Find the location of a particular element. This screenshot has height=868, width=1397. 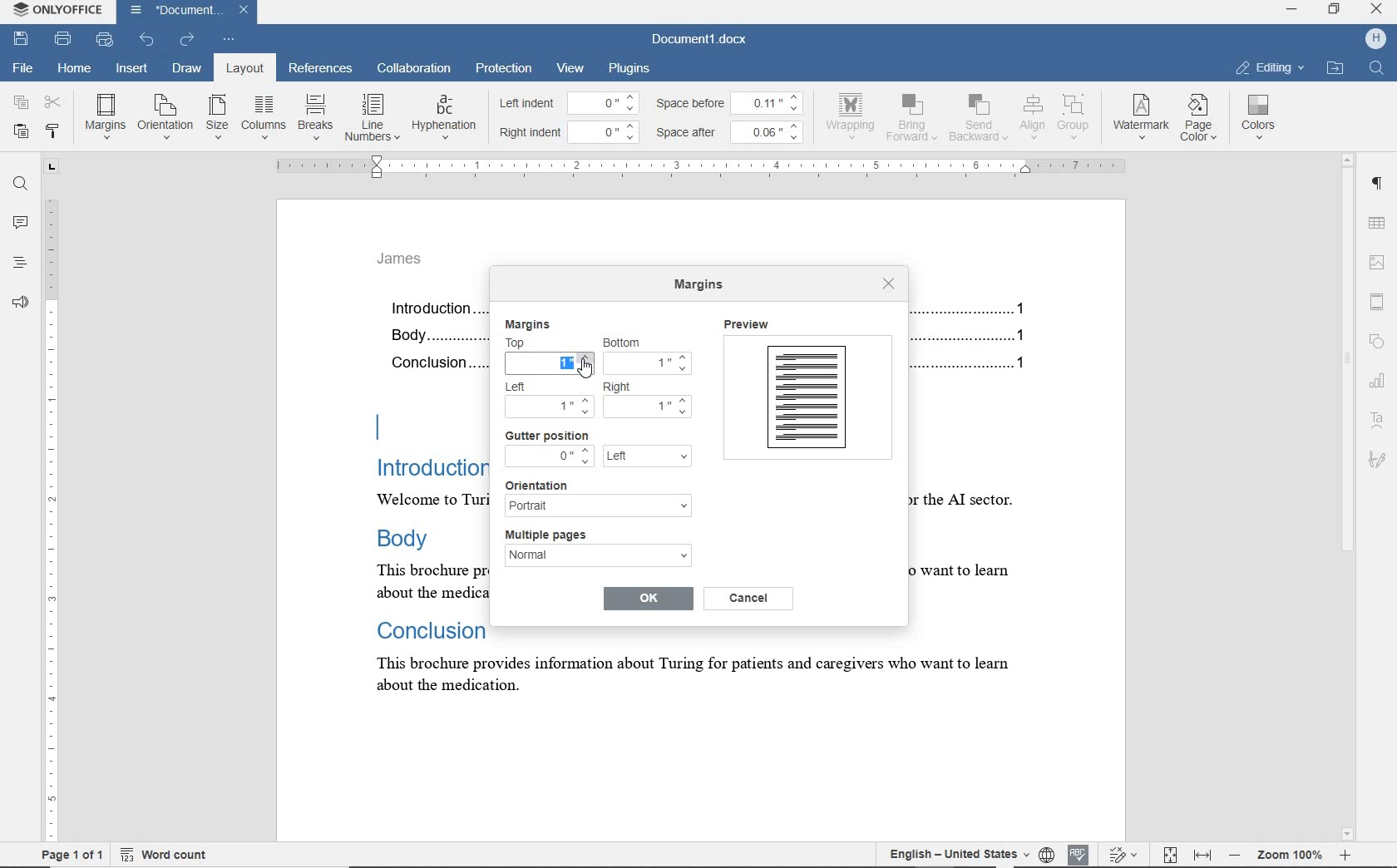

align is located at coordinates (1030, 116).